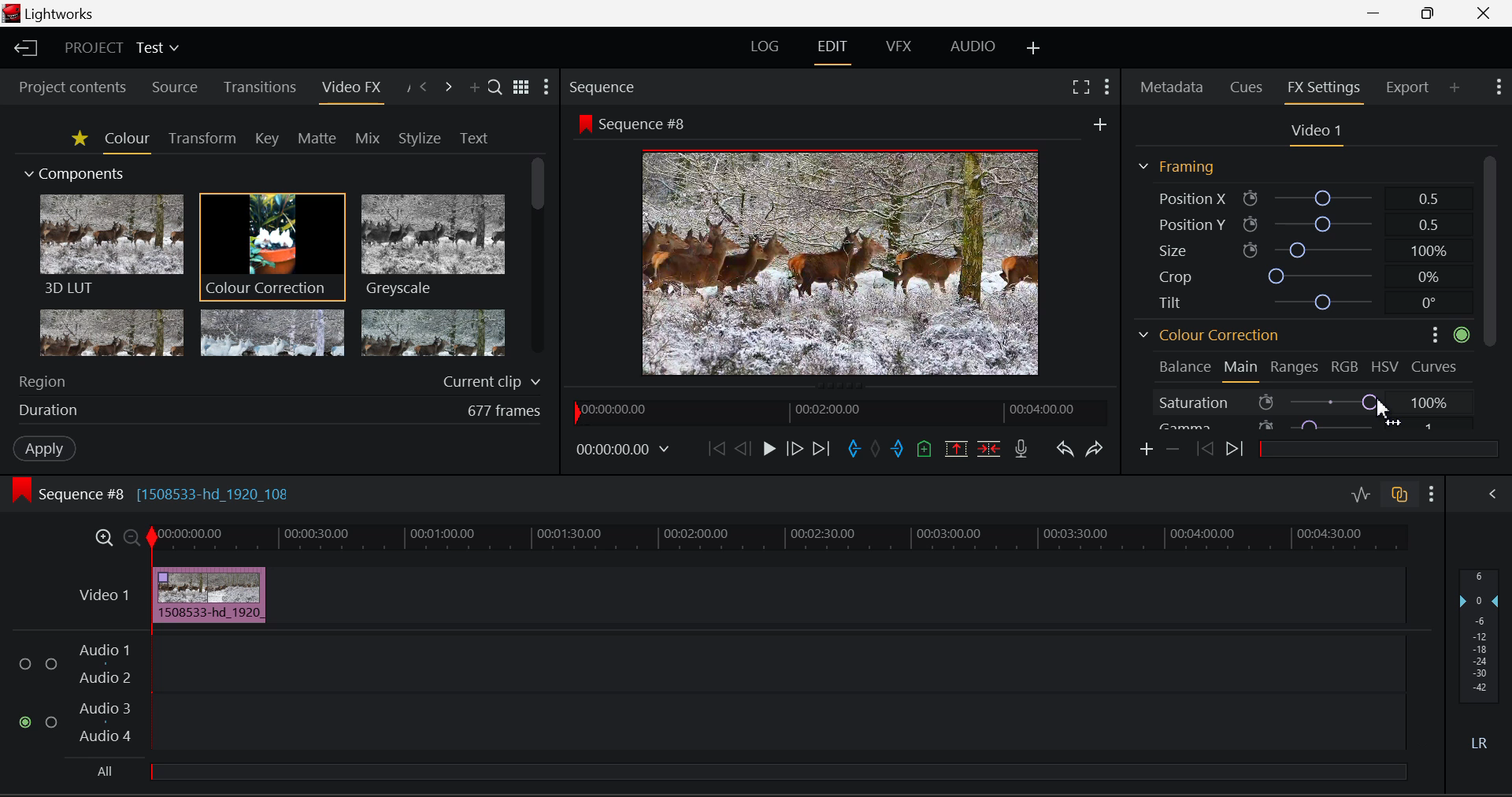  I want to click on Toggle between title and list view, so click(521, 85).